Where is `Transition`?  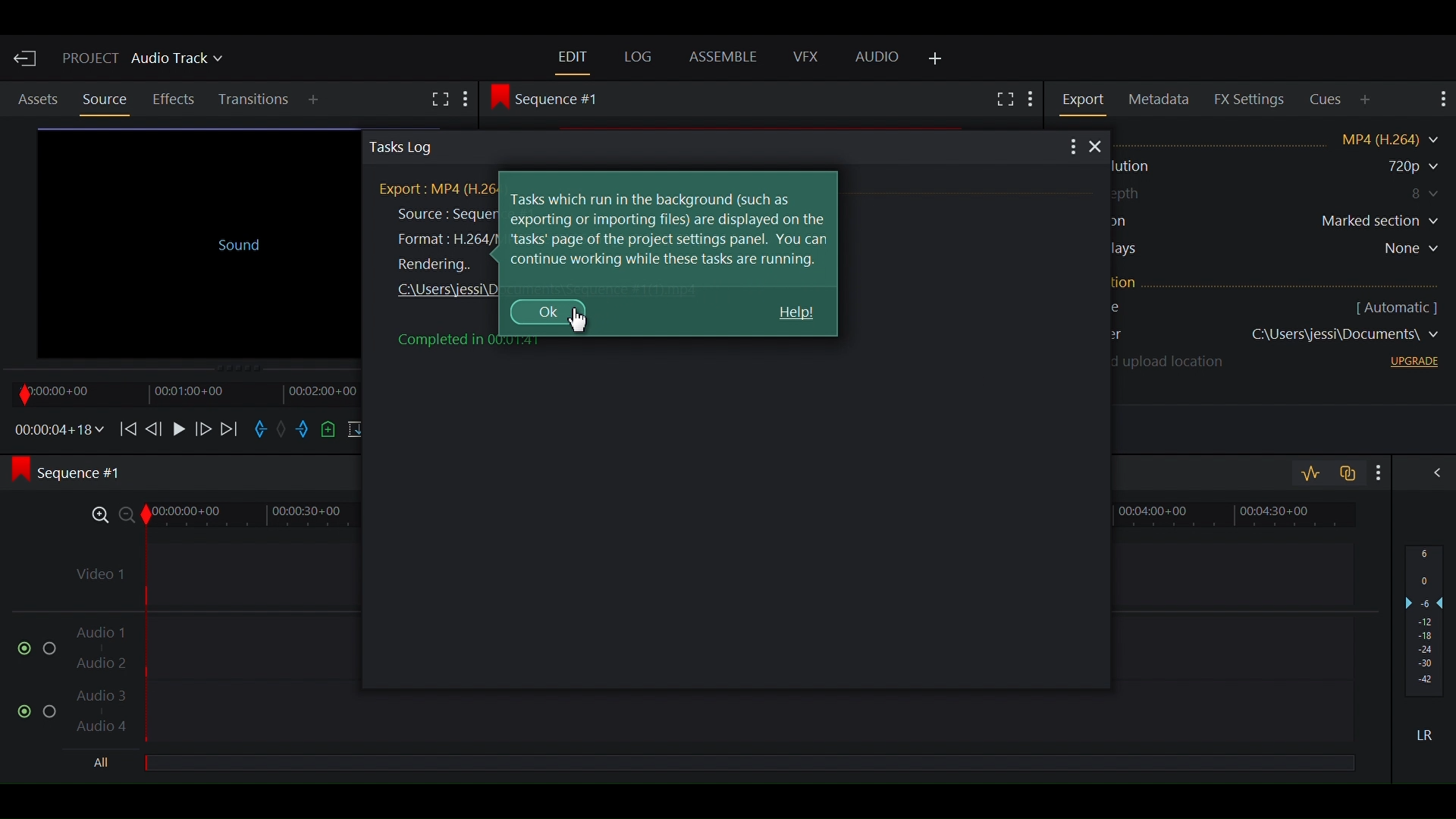
Transition is located at coordinates (256, 100).